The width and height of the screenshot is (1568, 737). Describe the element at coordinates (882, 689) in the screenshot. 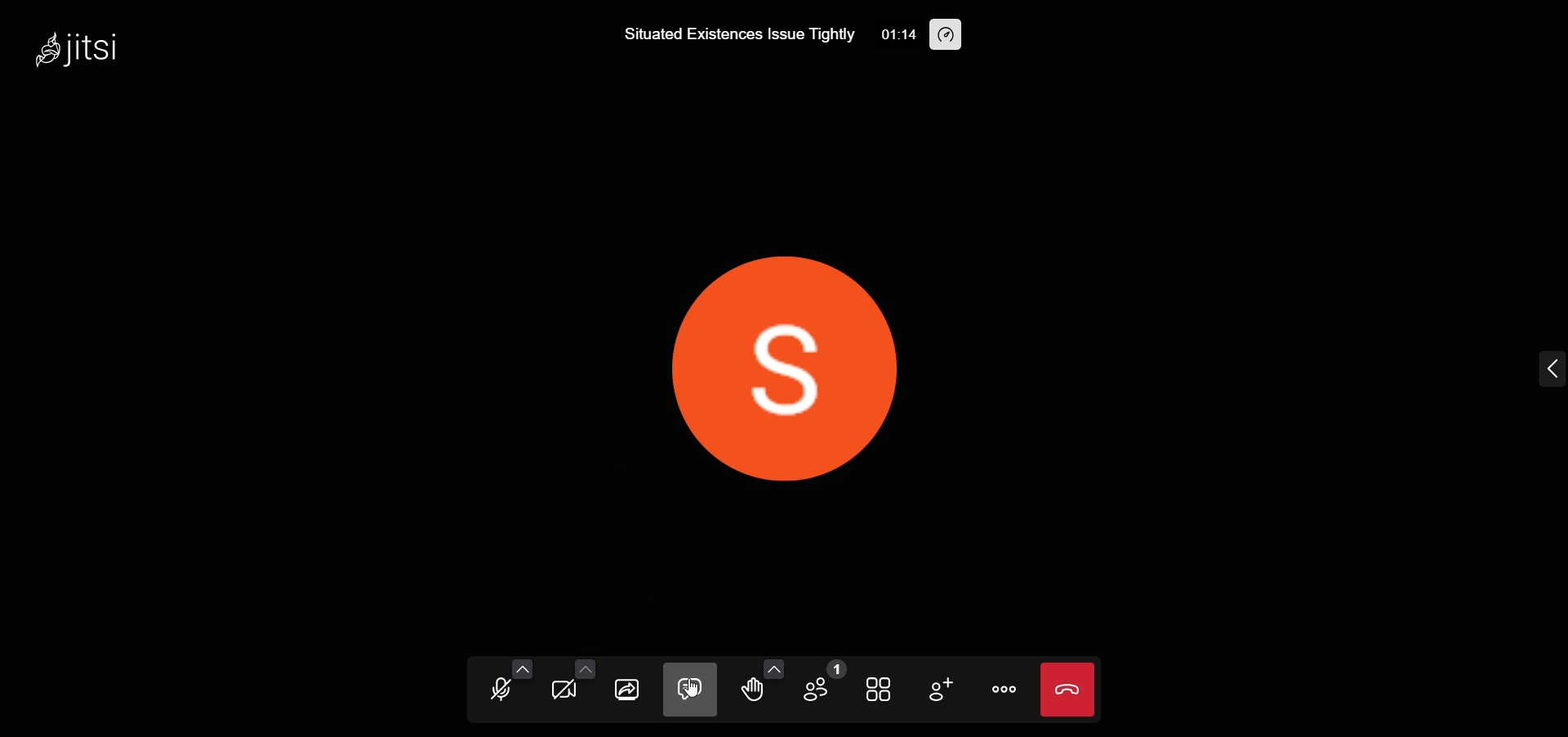

I see `tile view` at that location.